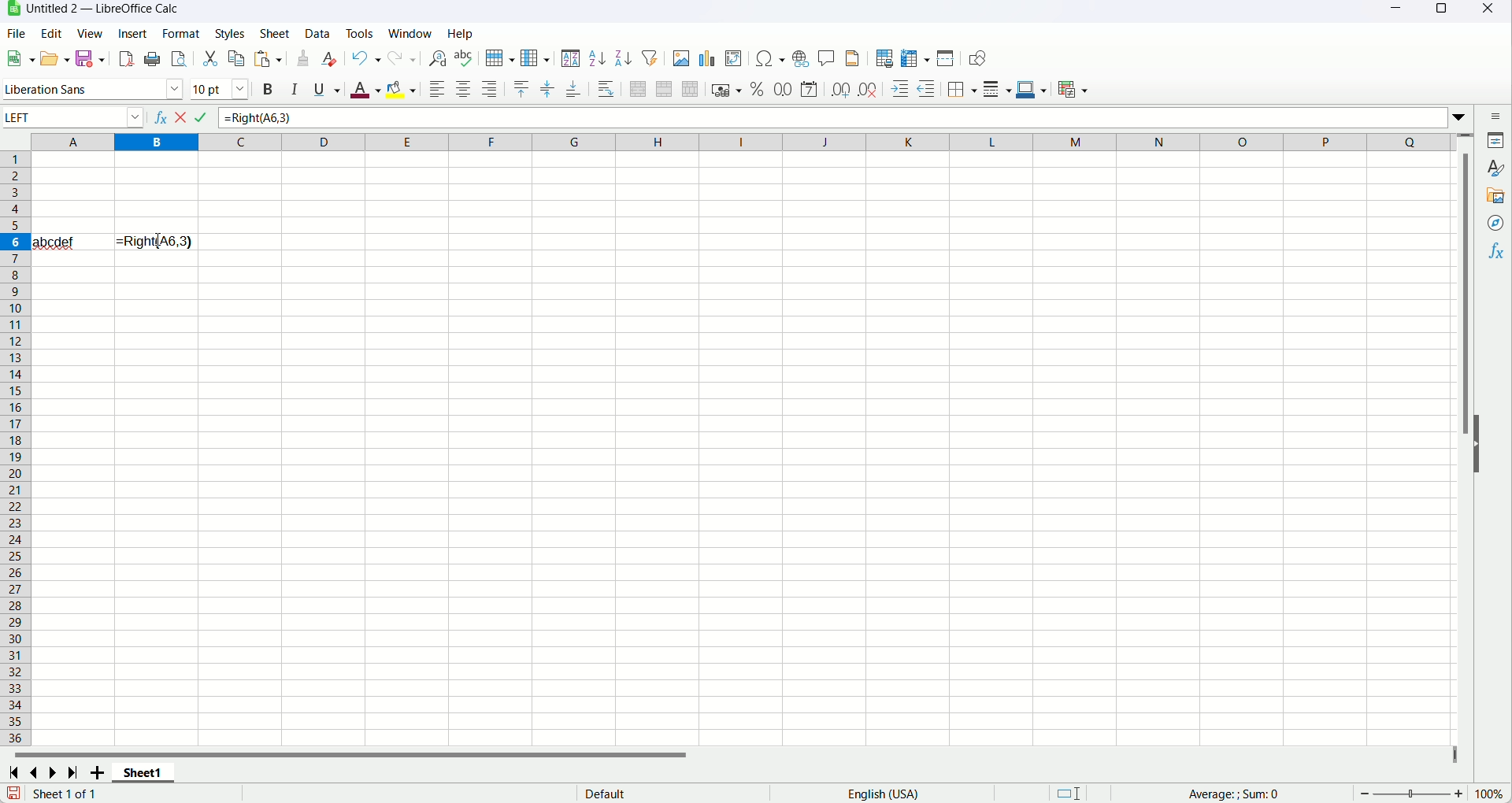 The image size is (1512, 803). Describe the element at coordinates (1493, 9) in the screenshot. I see `close` at that location.